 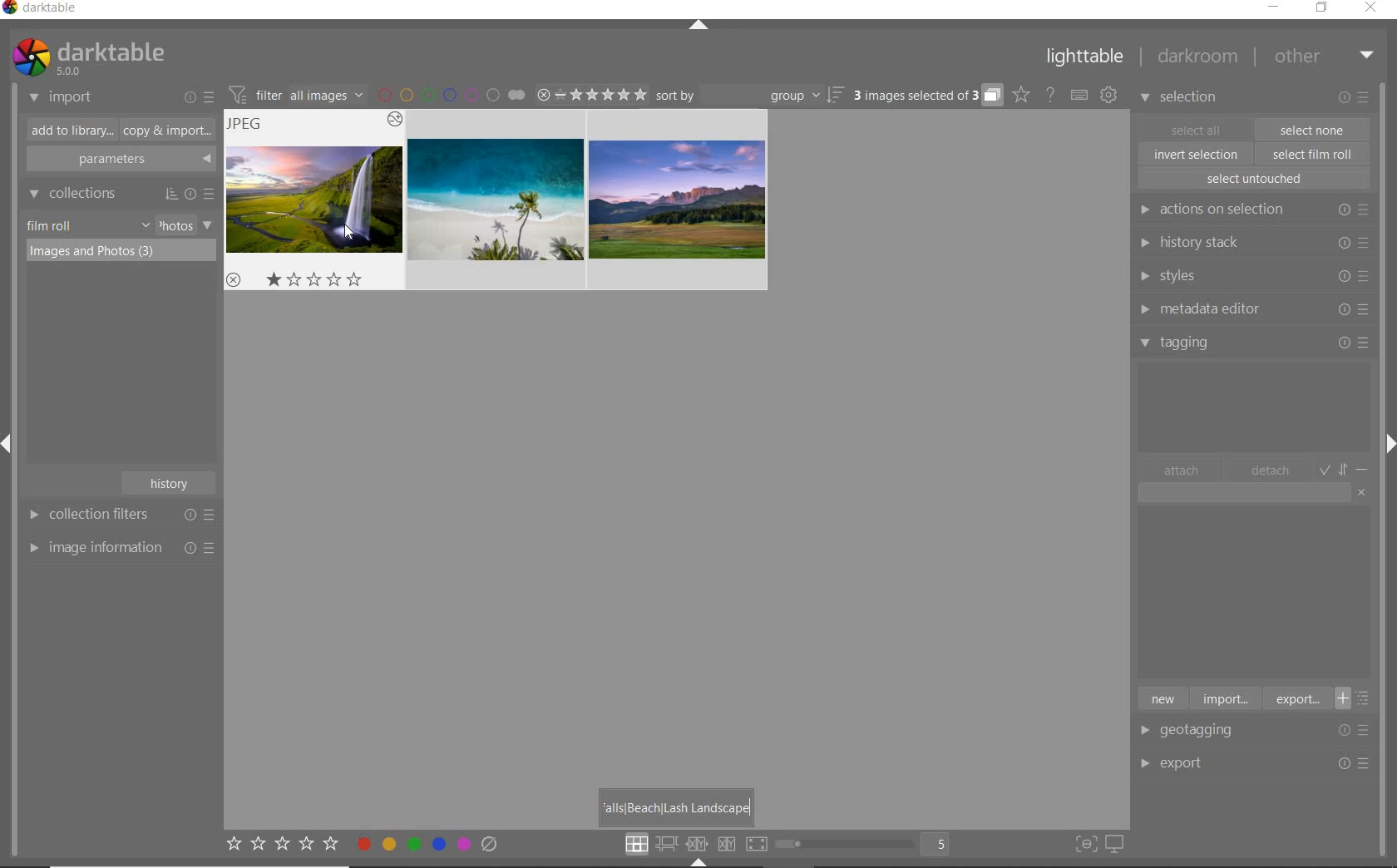 I want to click on Options, so click(x=1355, y=764).